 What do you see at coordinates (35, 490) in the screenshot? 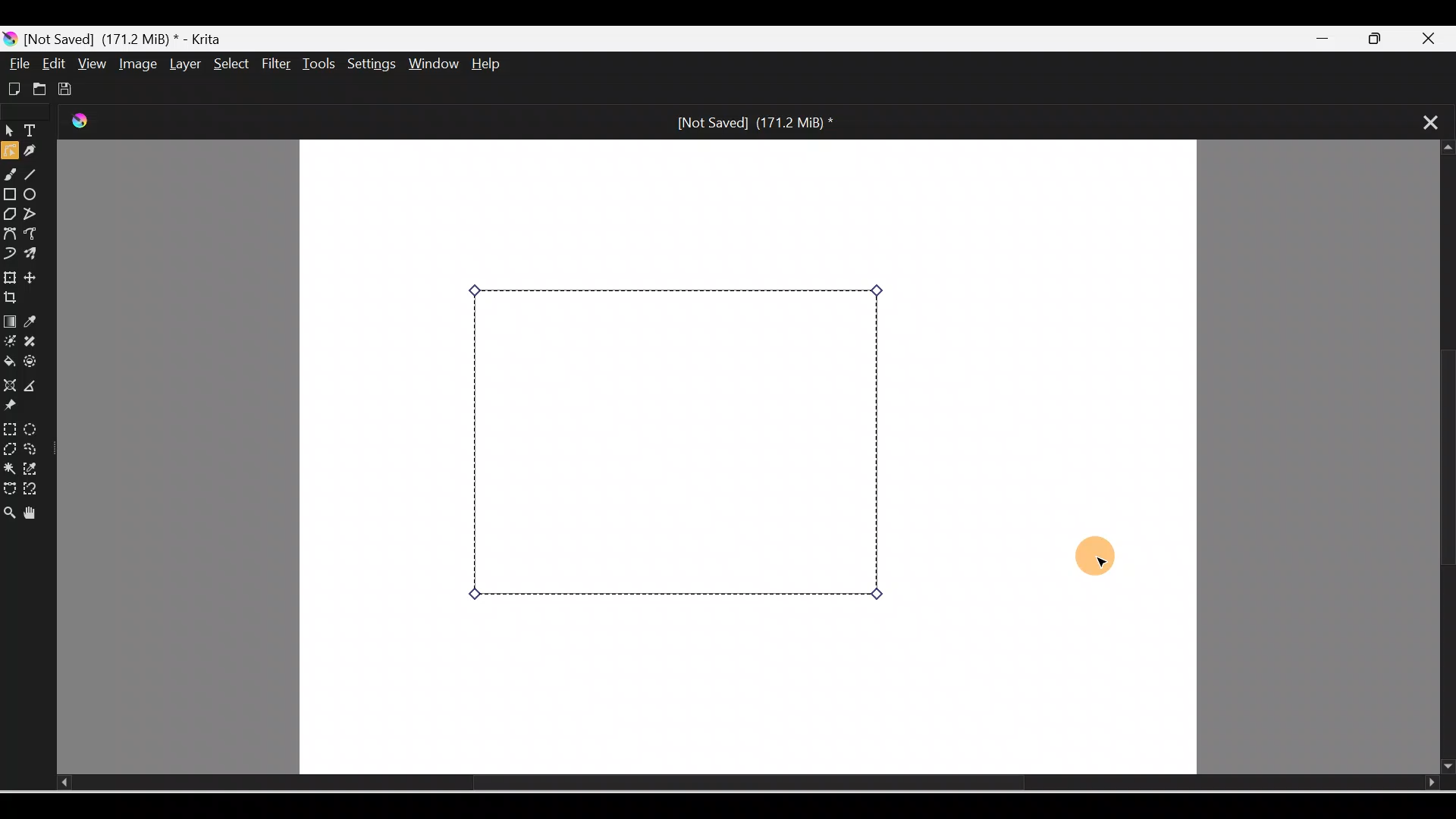
I see `Magnetic curve selection tool` at bounding box center [35, 490].